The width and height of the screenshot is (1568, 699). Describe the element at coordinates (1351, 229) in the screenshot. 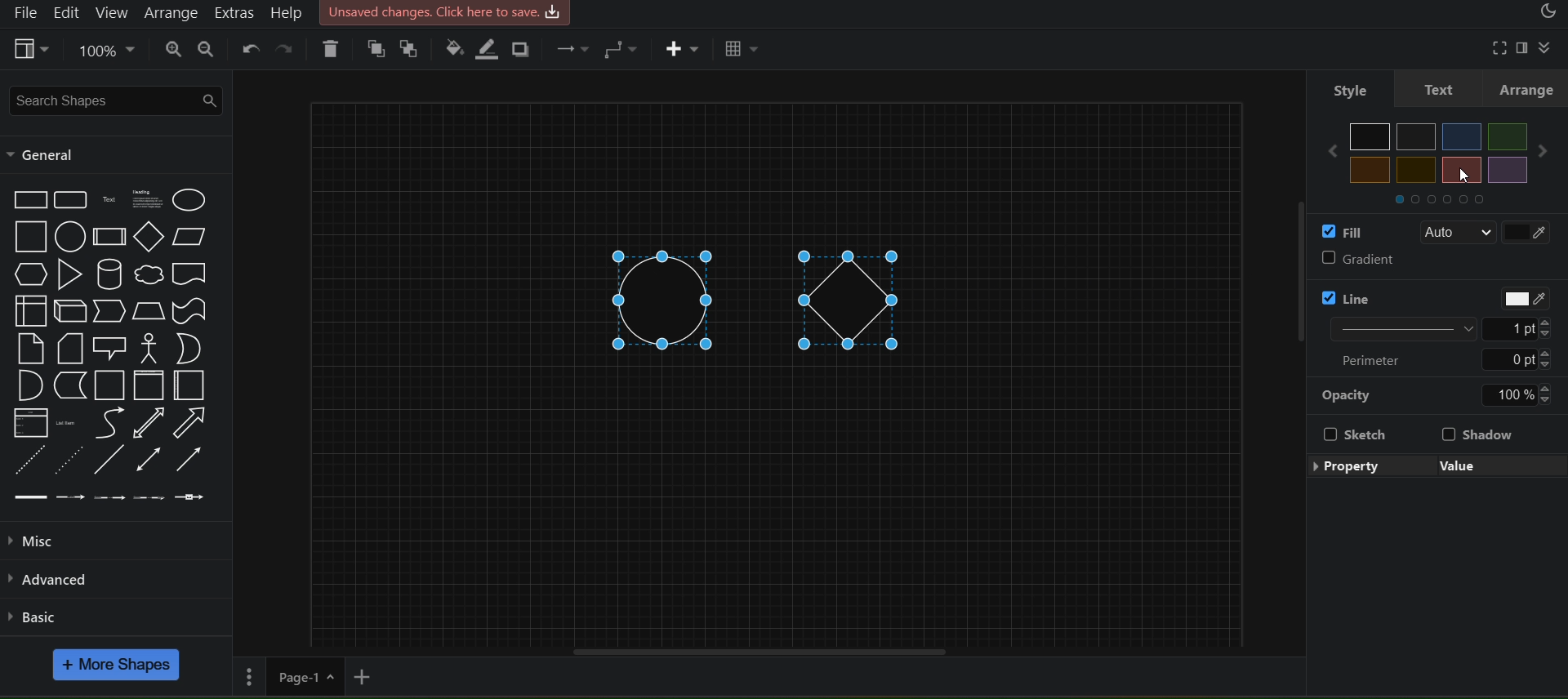

I see `fill ` at that location.